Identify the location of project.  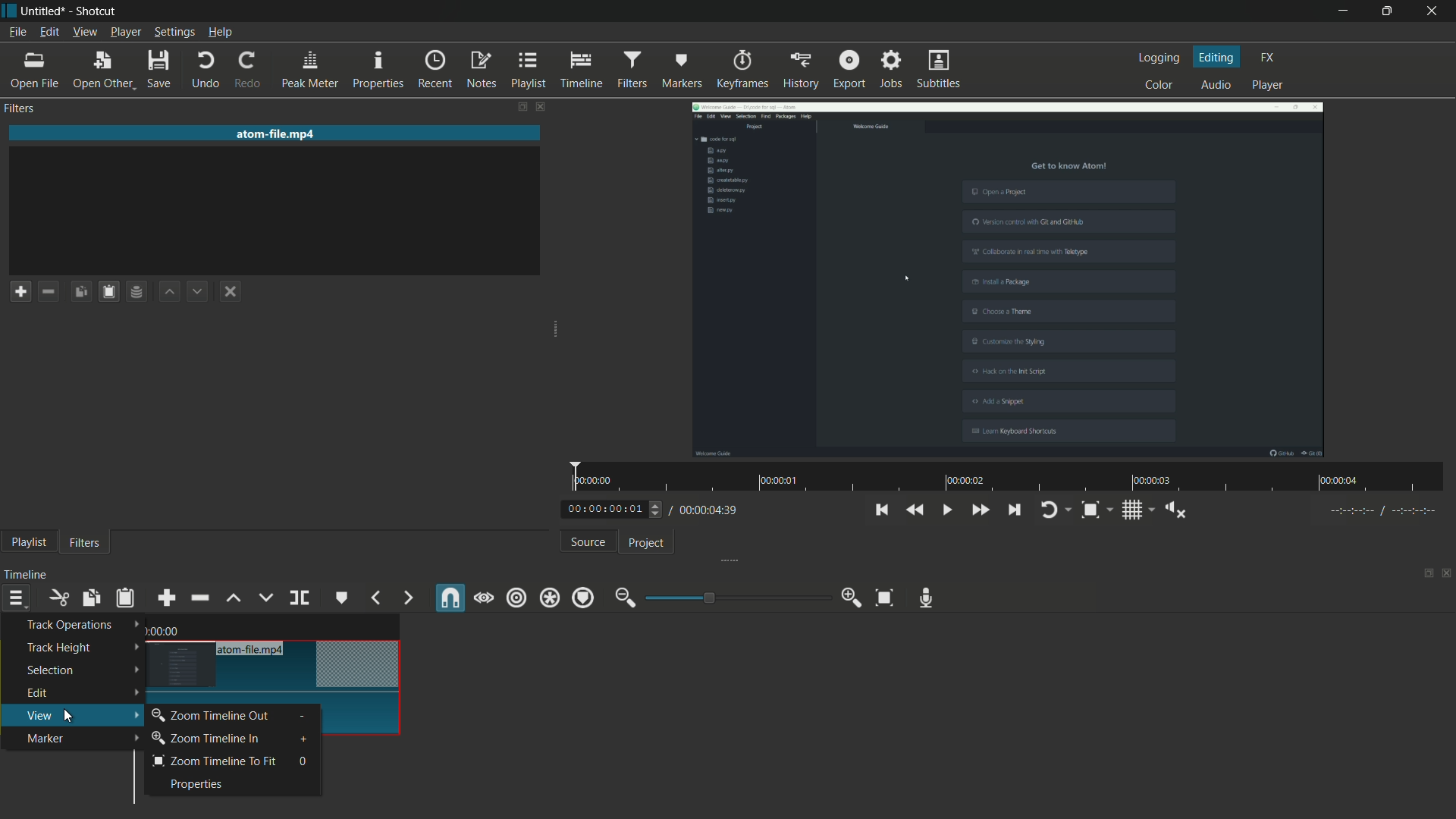
(647, 543).